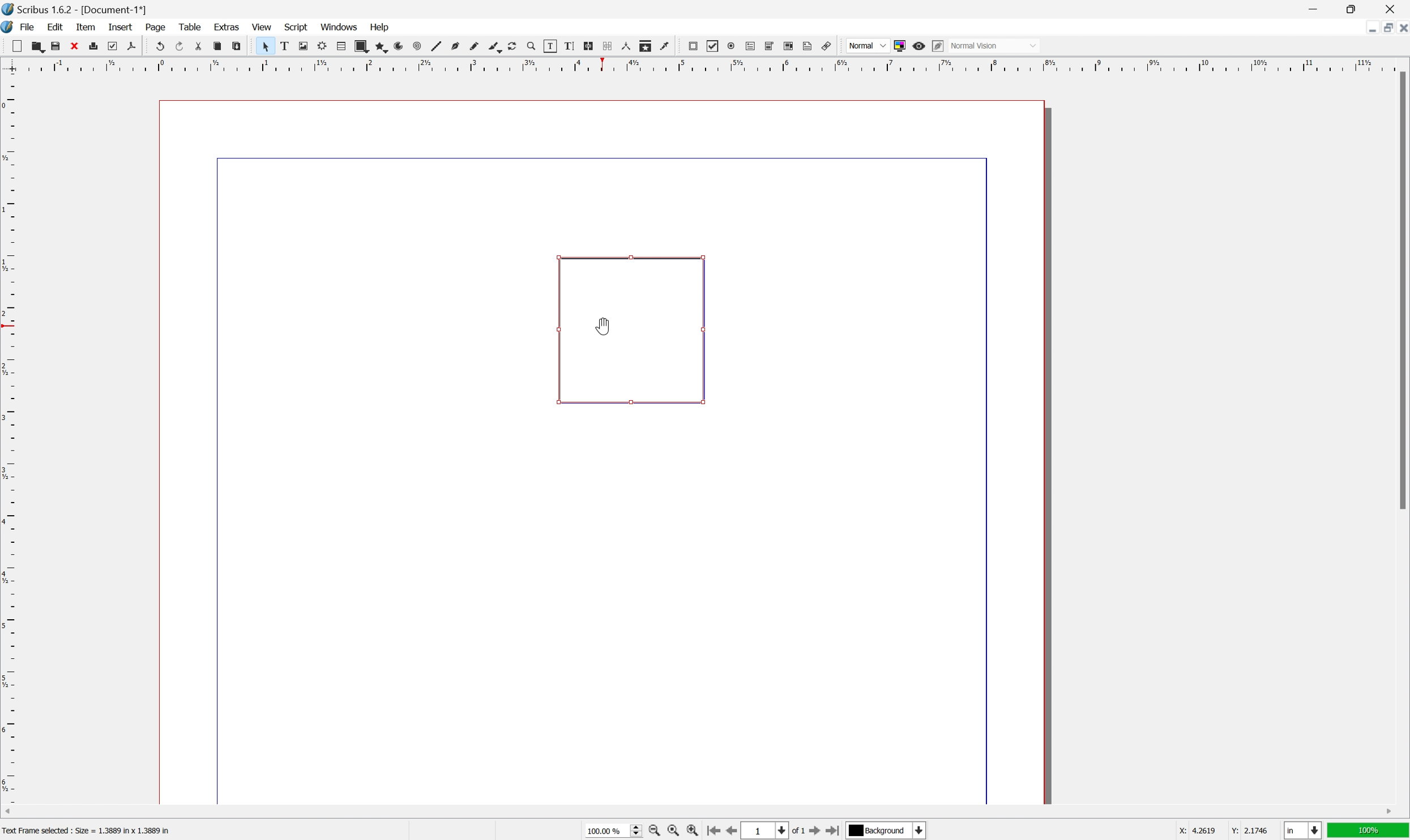 This screenshot has height=840, width=1410. Describe the element at coordinates (260, 26) in the screenshot. I see `view` at that location.